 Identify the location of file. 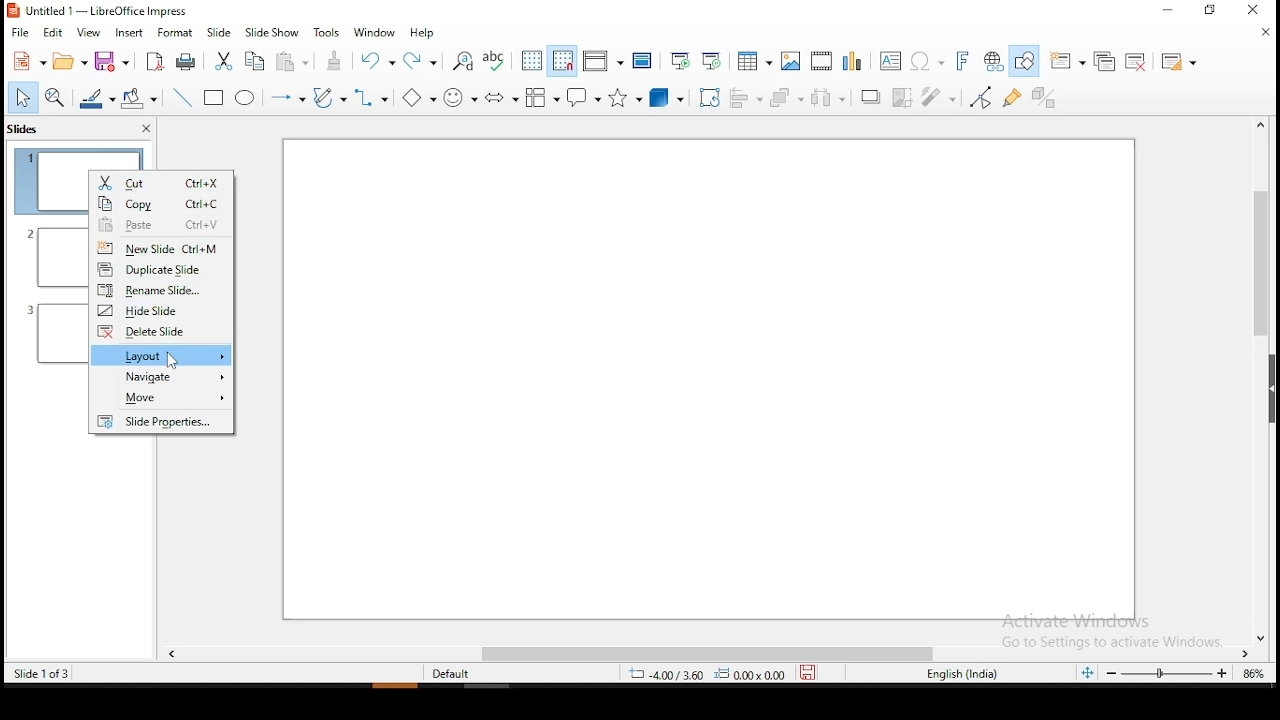
(22, 35).